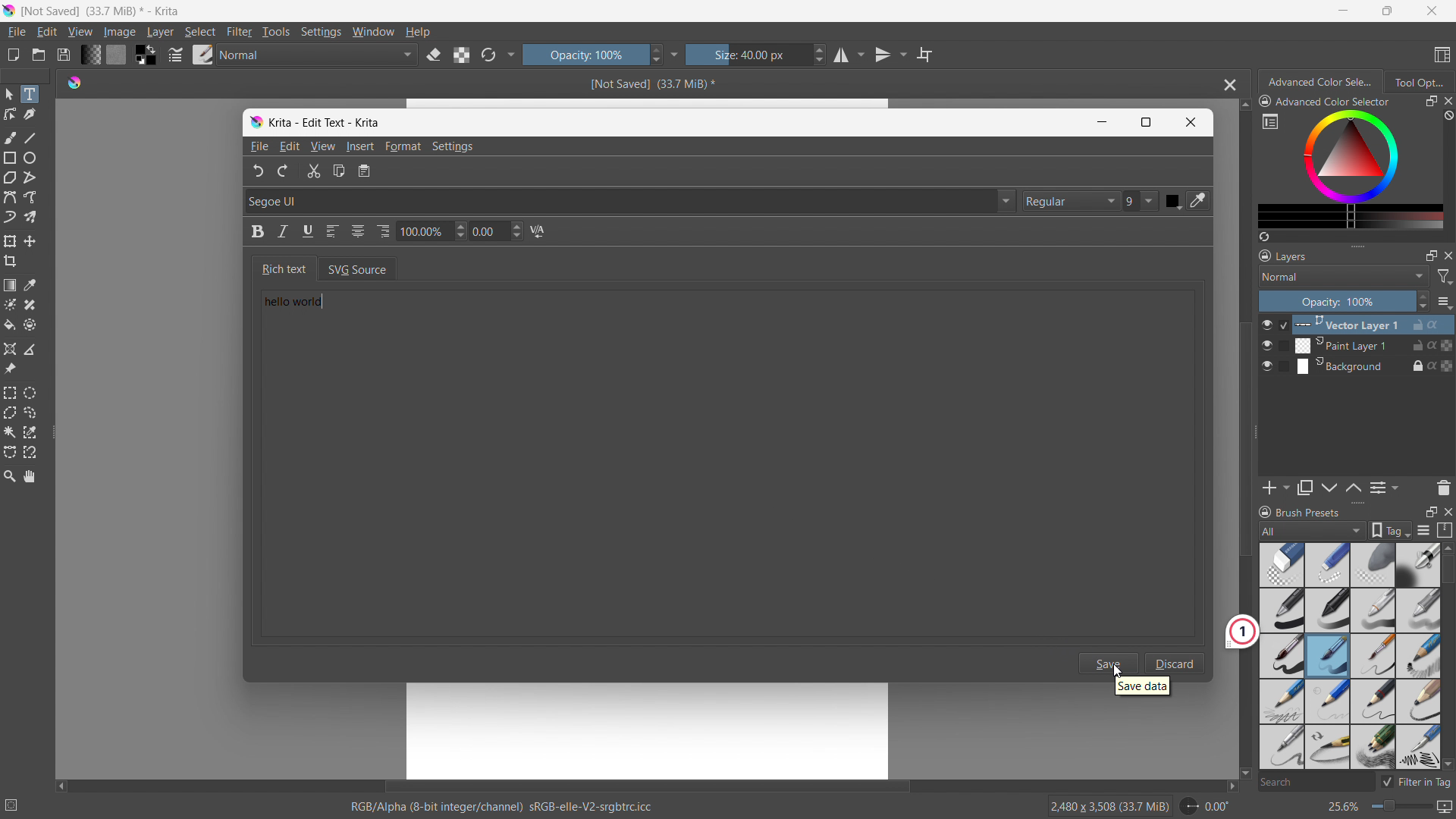  Describe the element at coordinates (456, 146) in the screenshot. I see `Settings` at that location.